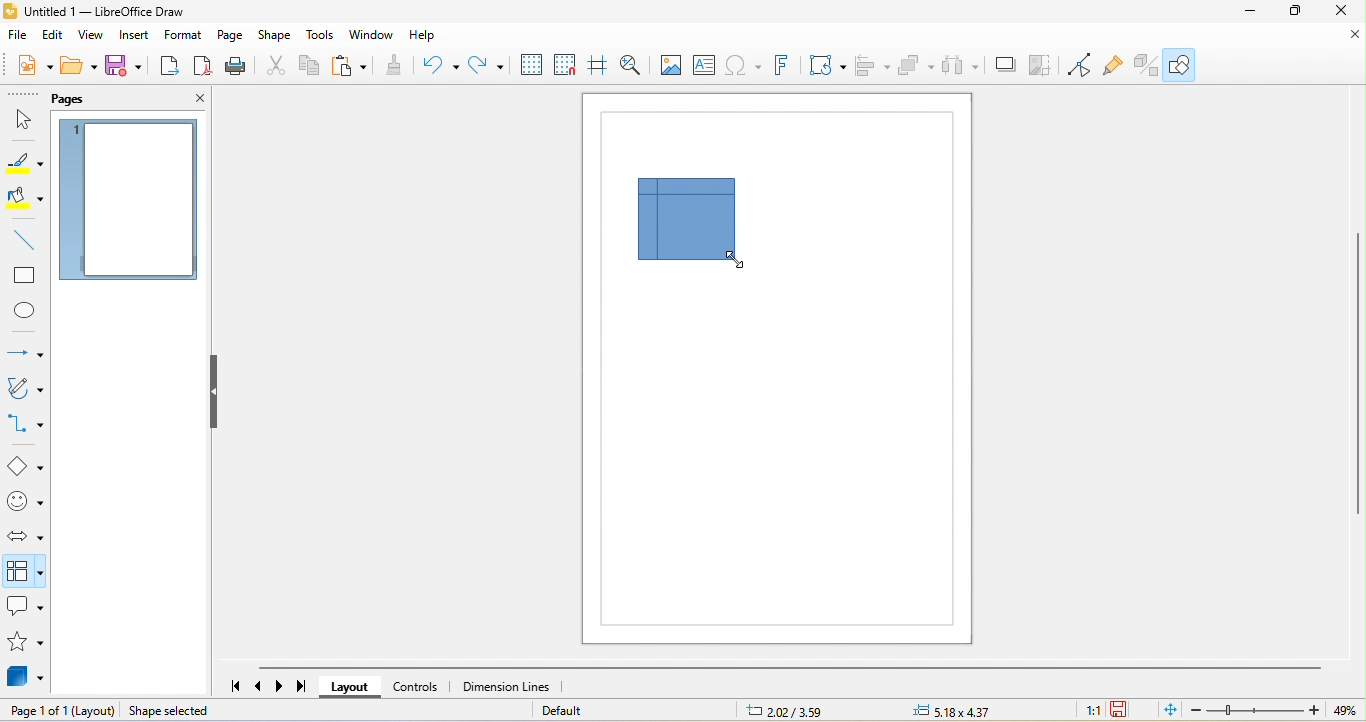  What do you see at coordinates (1340, 43) in the screenshot?
I see `close` at bounding box center [1340, 43].